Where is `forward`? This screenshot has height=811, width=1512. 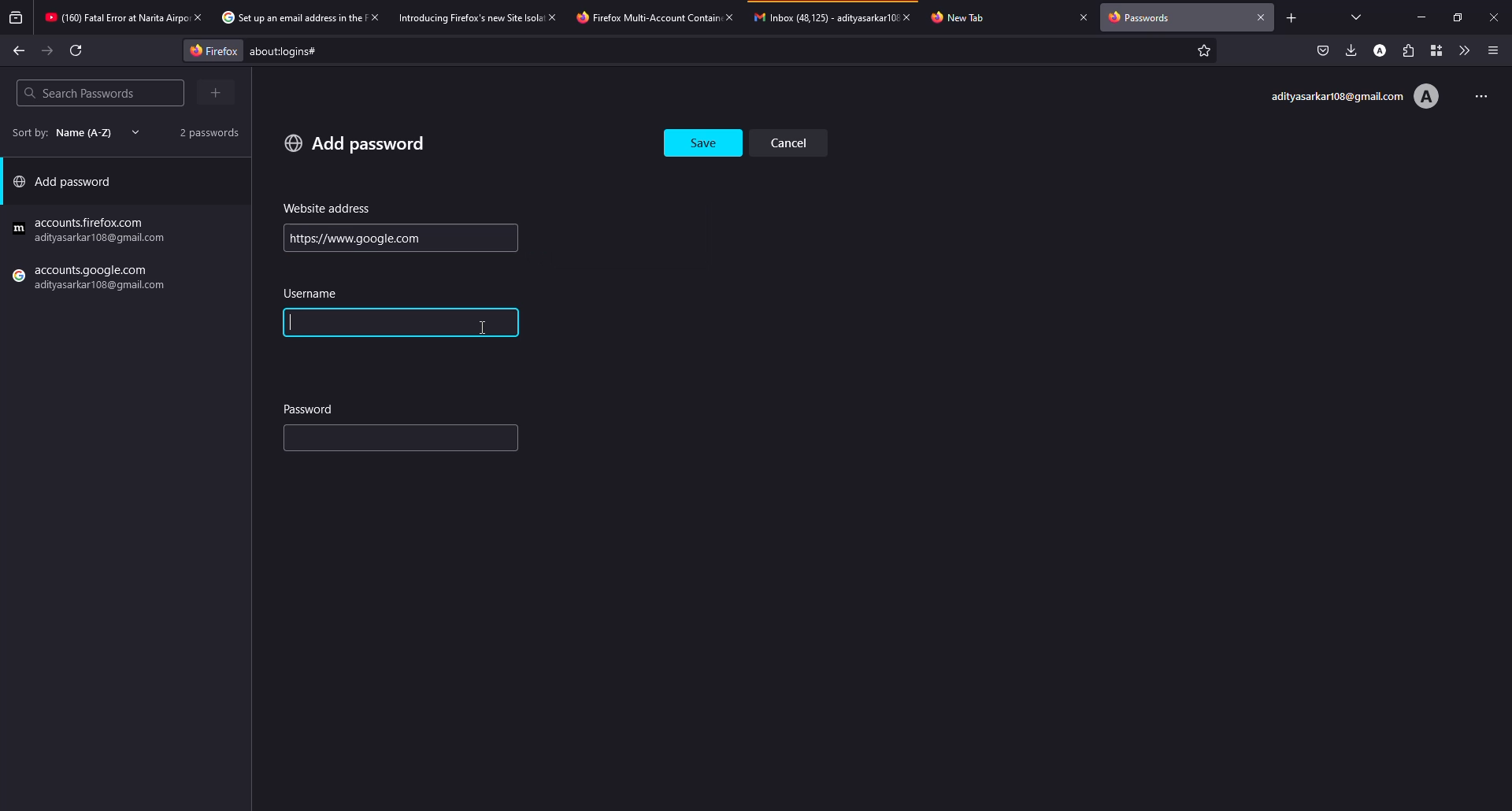 forward is located at coordinates (48, 51).